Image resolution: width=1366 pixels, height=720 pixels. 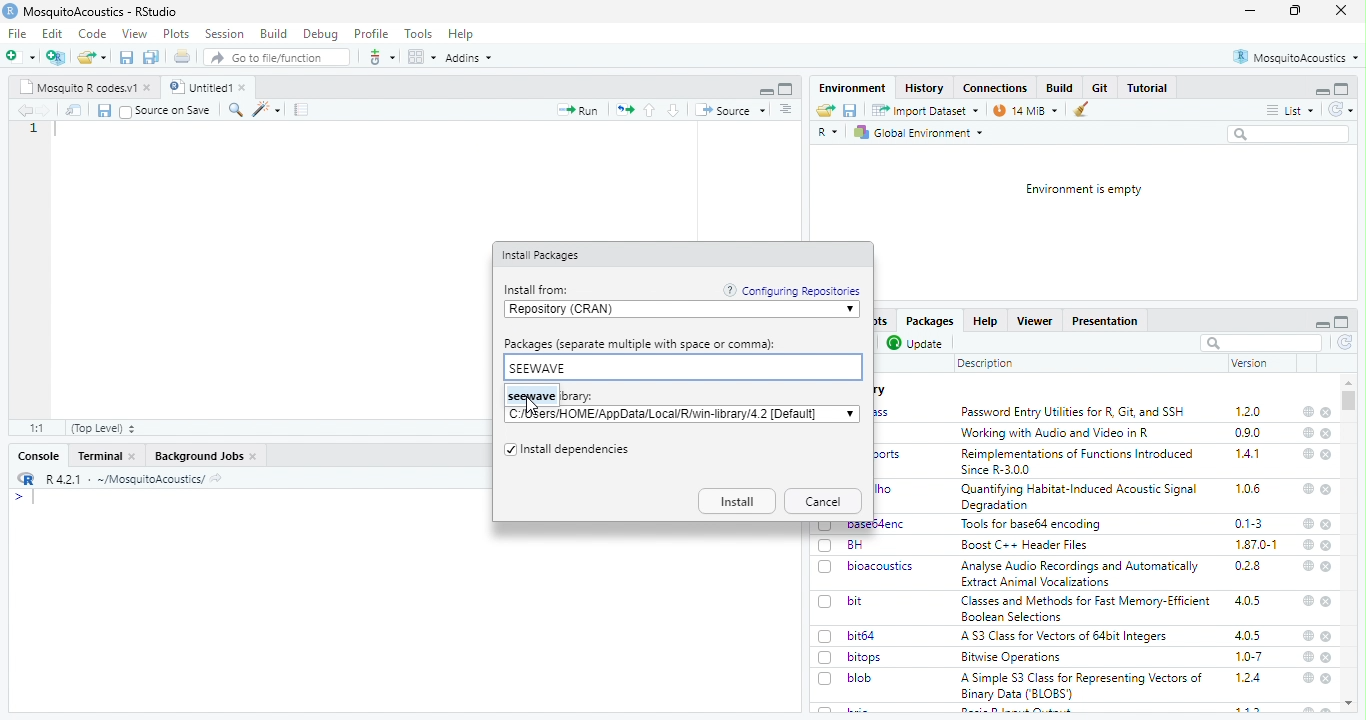 I want to click on find, so click(x=237, y=110).